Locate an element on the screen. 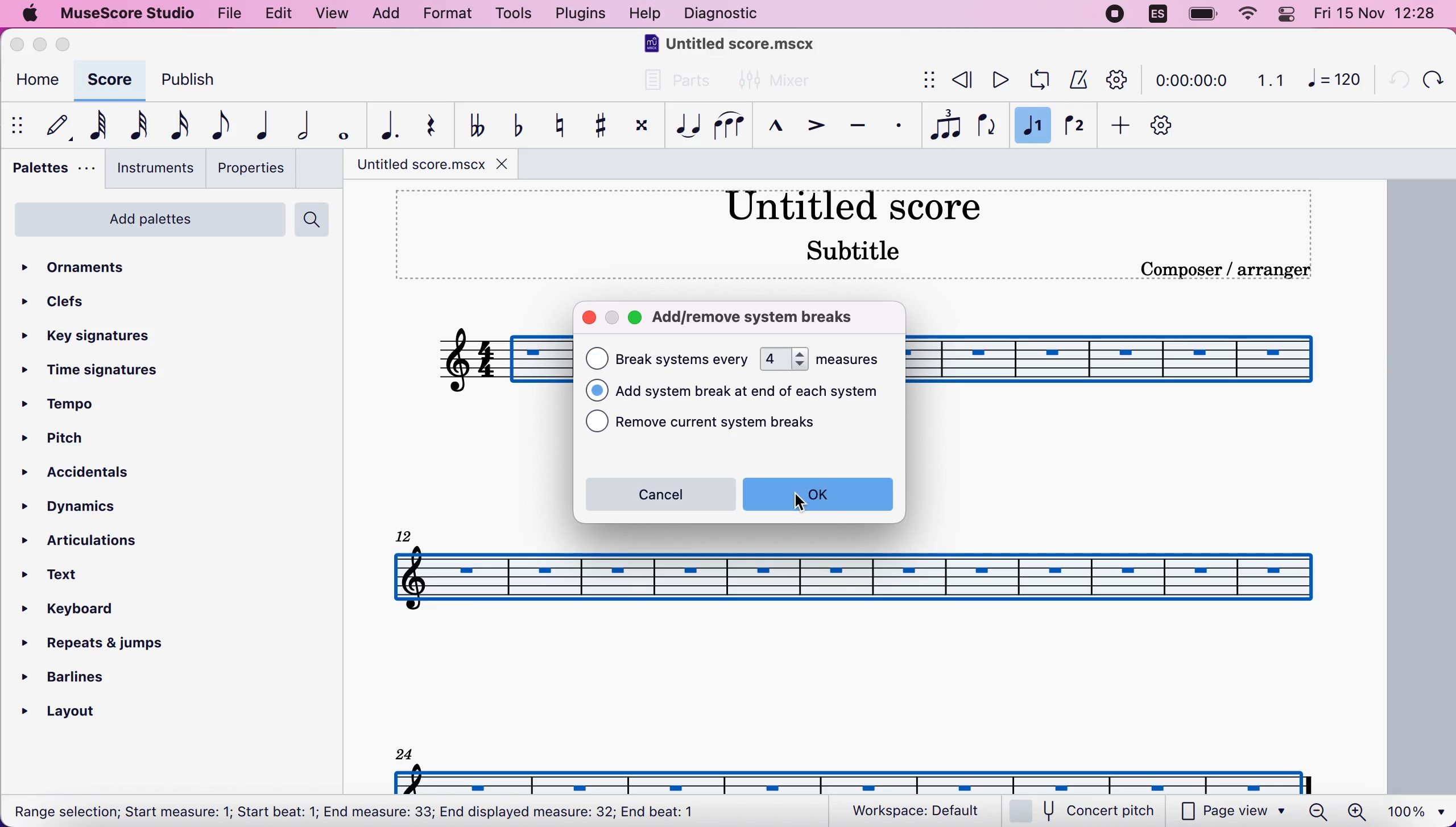 The height and width of the screenshot is (827, 1456). musescore studio is located at coordinates (125, 14).